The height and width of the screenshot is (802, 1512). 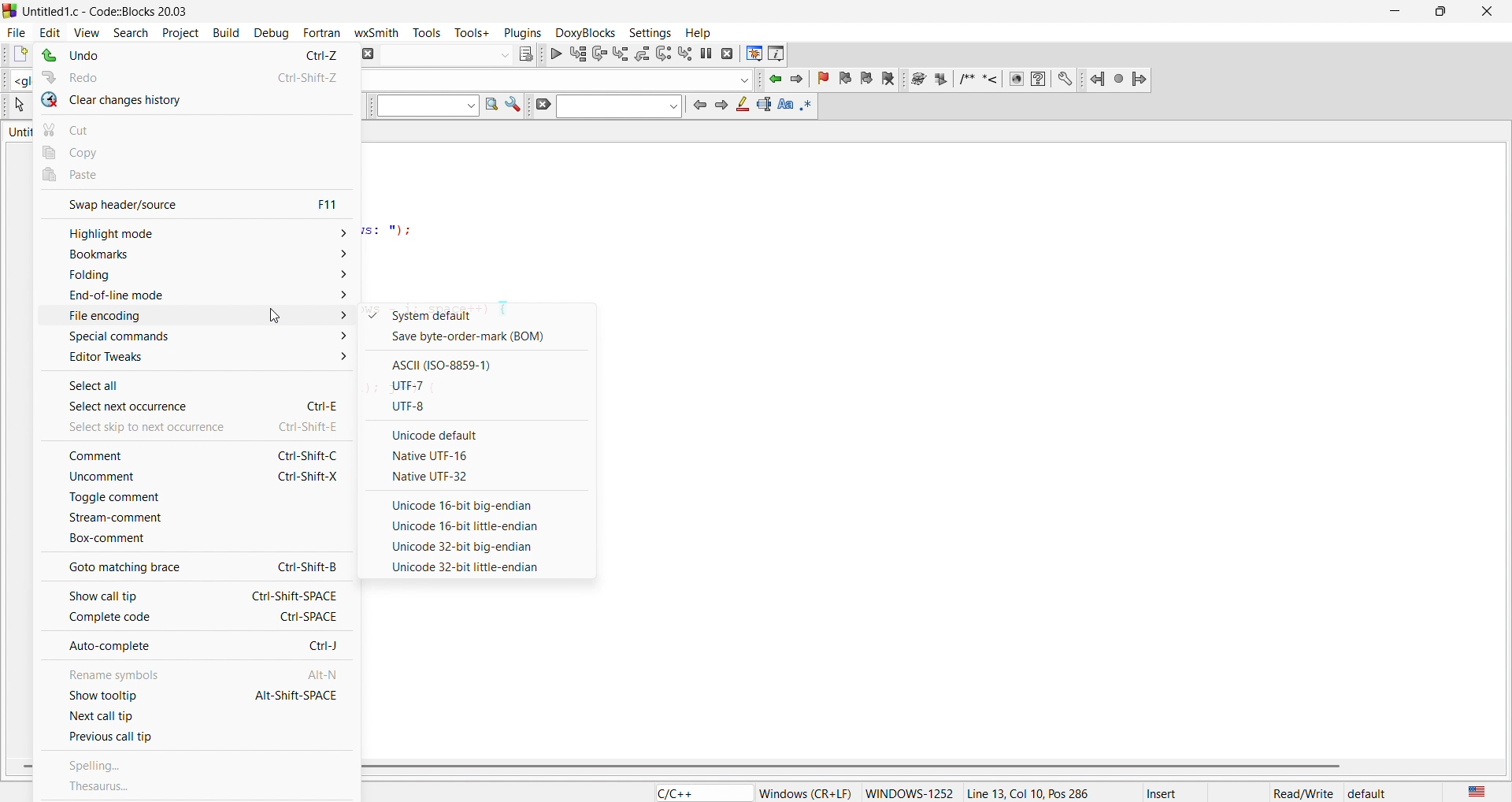 What do you see at coordinates (1164, 793) in the screenshot?
I see `insert` at bounding box center [1164, 793].